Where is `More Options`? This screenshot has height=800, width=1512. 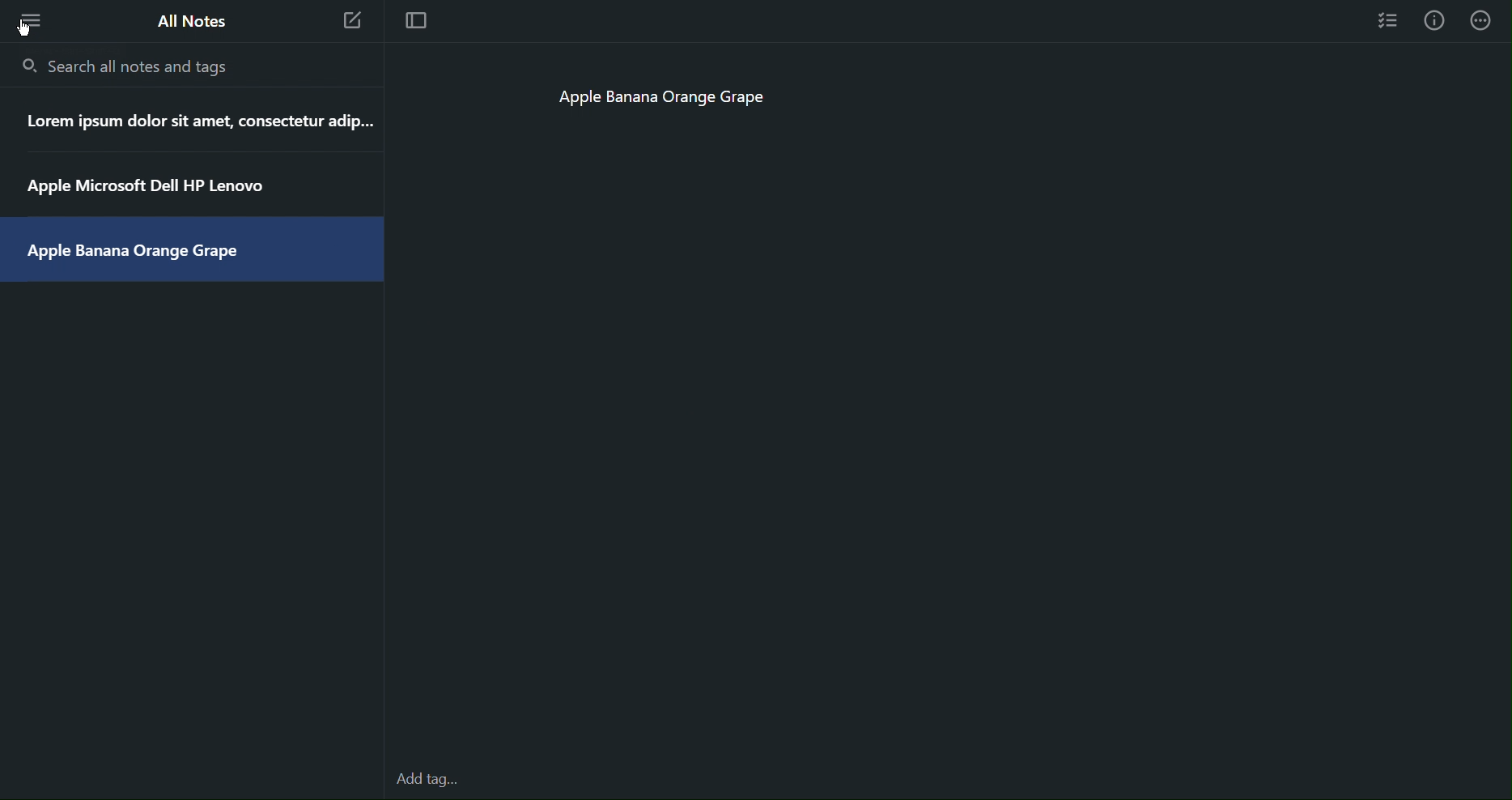 More Options is located at coordinates (26, 19).